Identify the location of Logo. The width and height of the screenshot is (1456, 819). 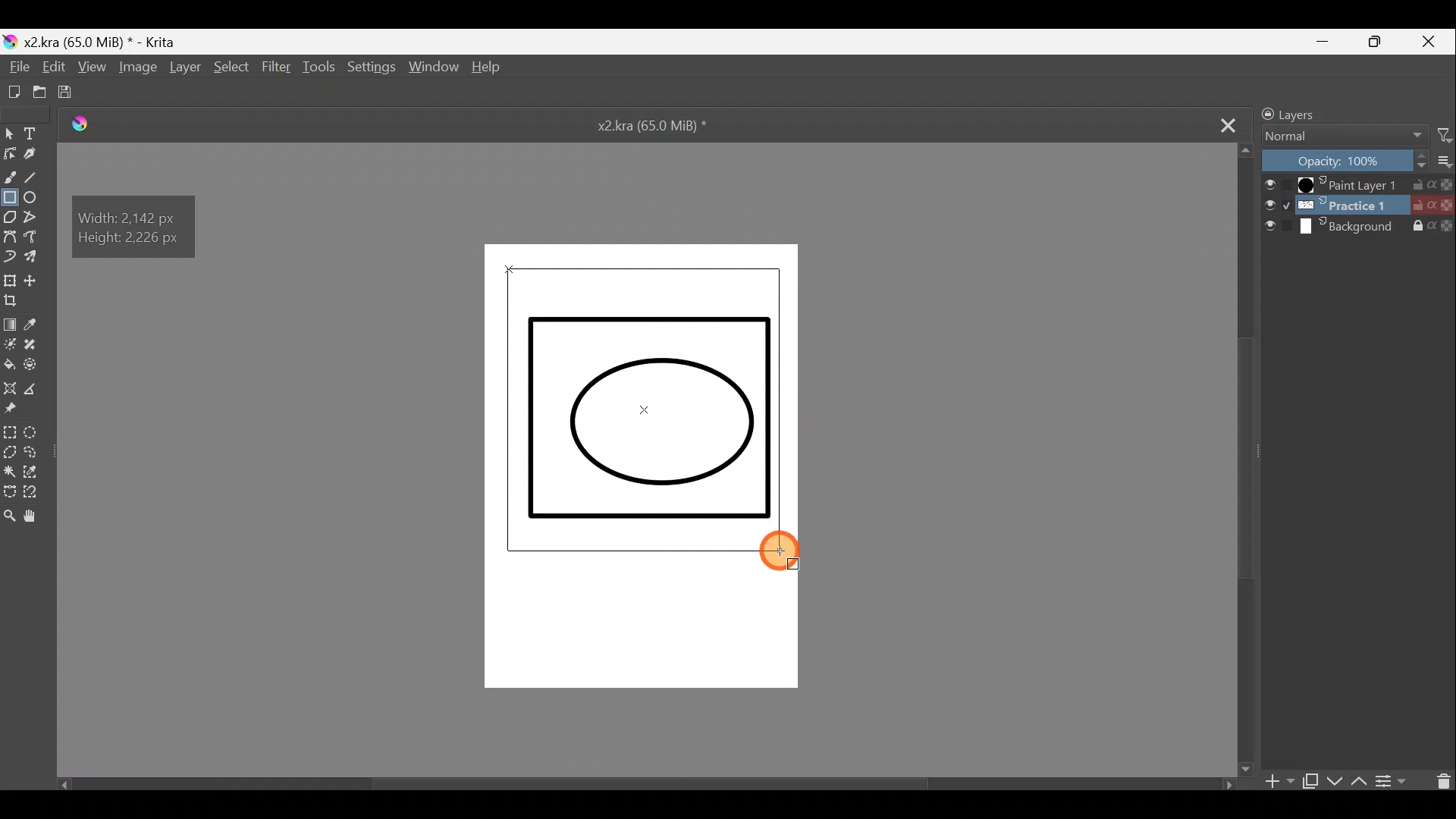
(74, 120).